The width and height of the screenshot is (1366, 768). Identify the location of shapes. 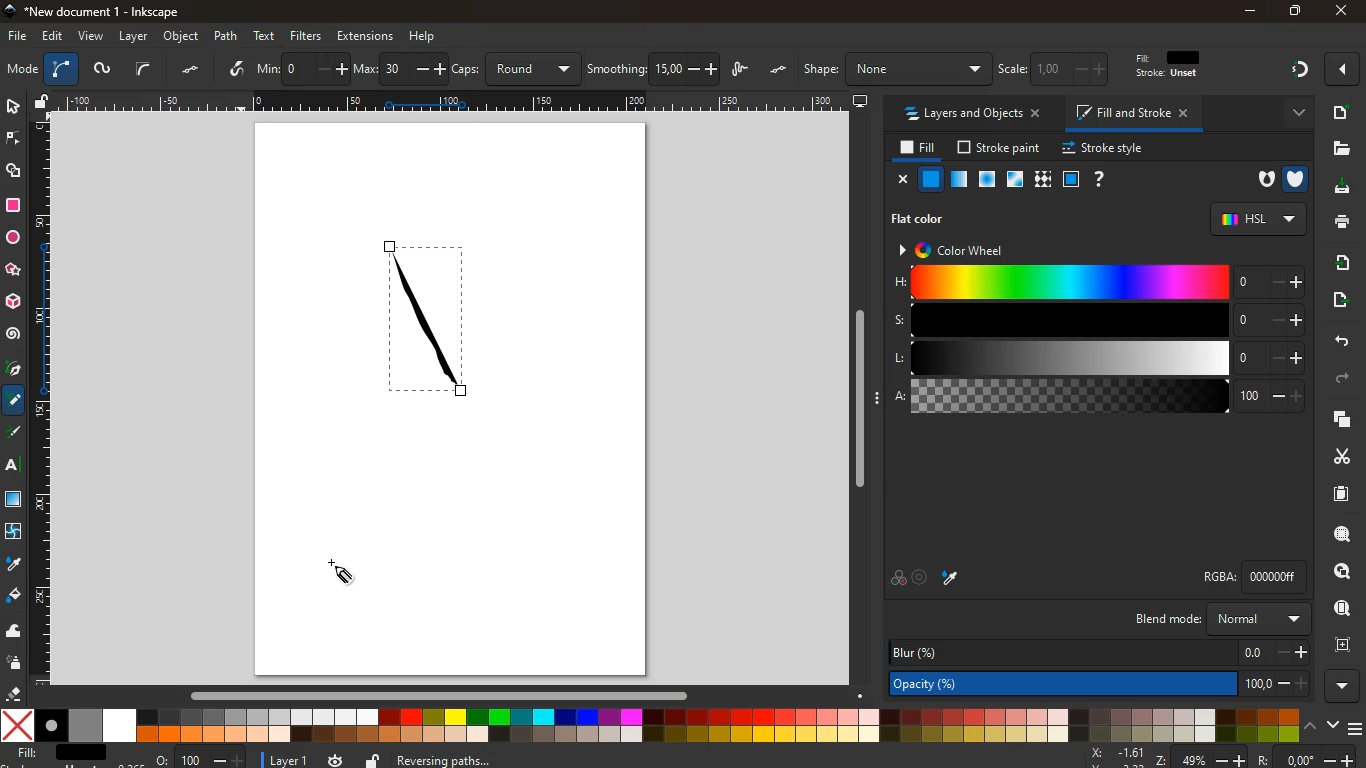
(15, 172).